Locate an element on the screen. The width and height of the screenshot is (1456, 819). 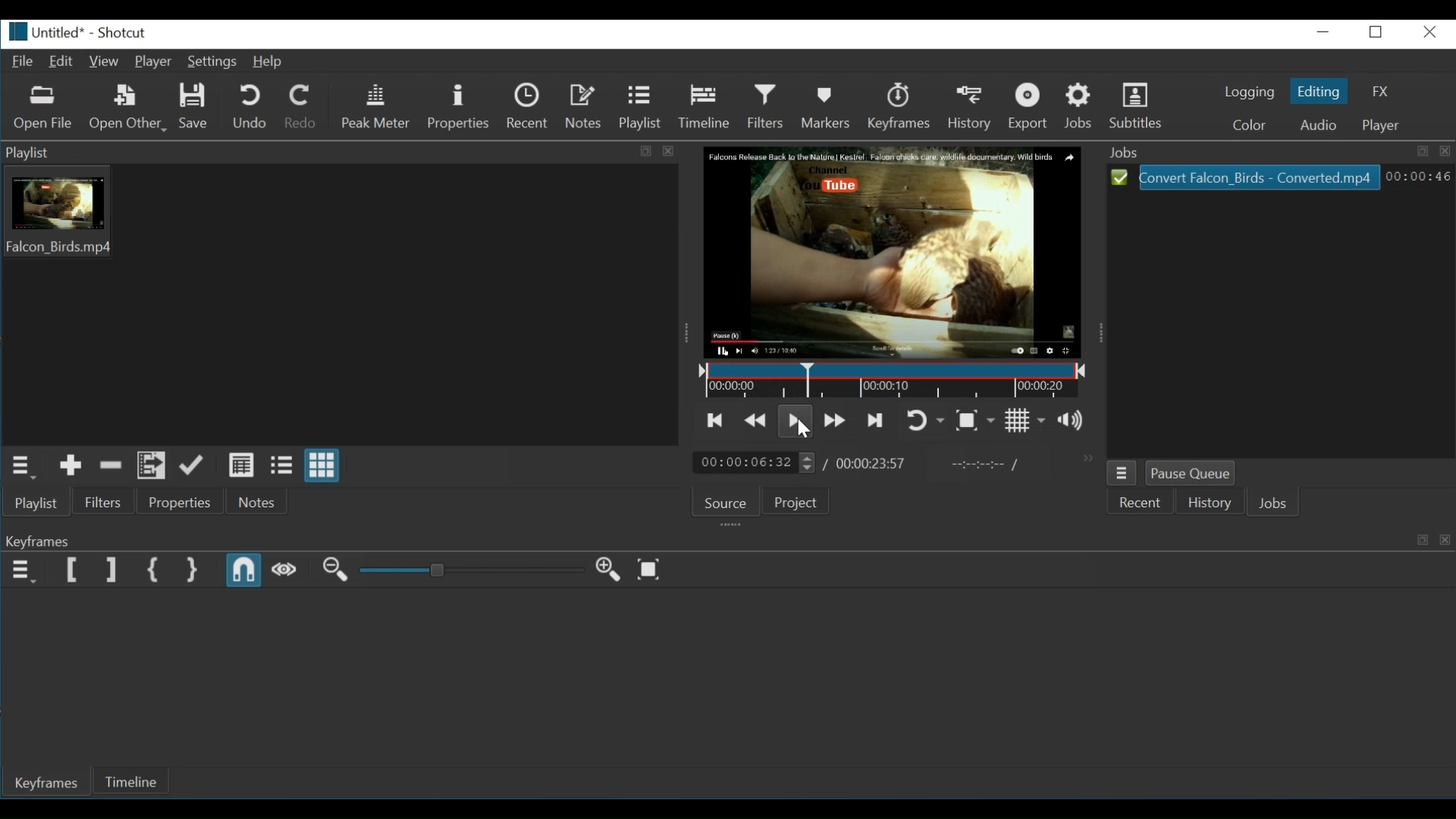
Jobs tab is located at coordinates (1278, 151).